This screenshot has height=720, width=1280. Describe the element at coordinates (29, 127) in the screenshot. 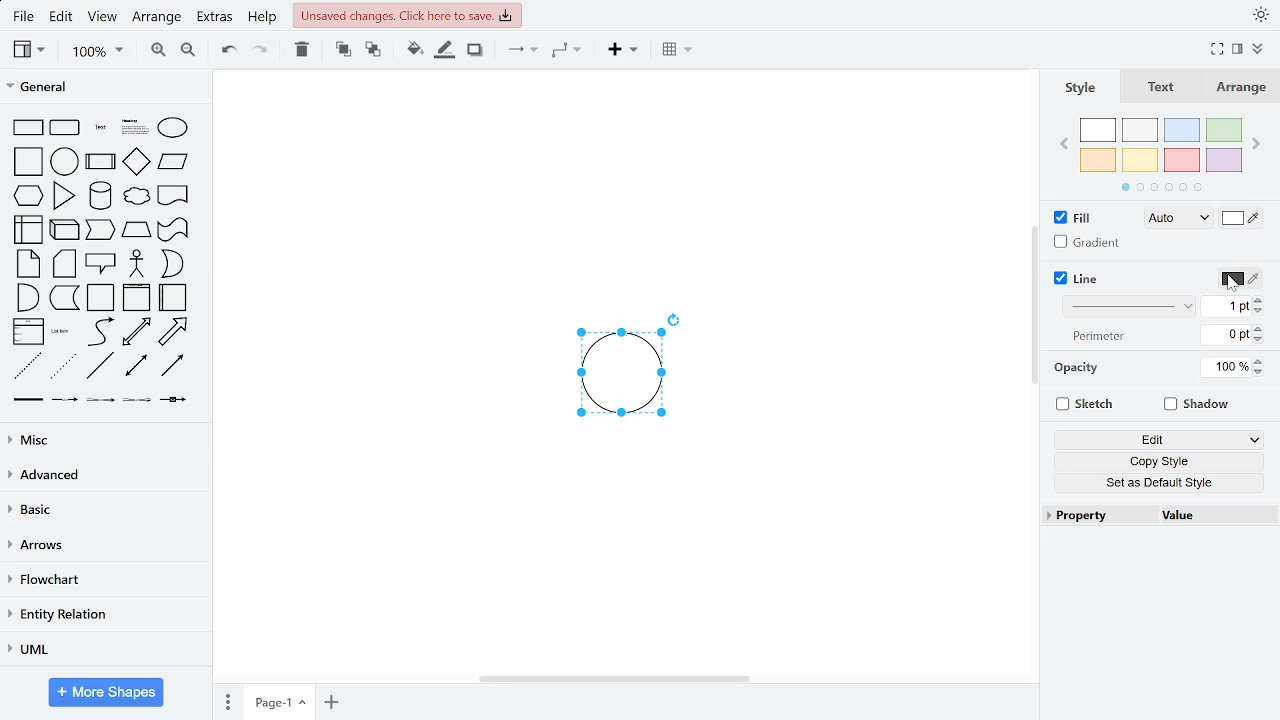

I see `rectangle` at that location.